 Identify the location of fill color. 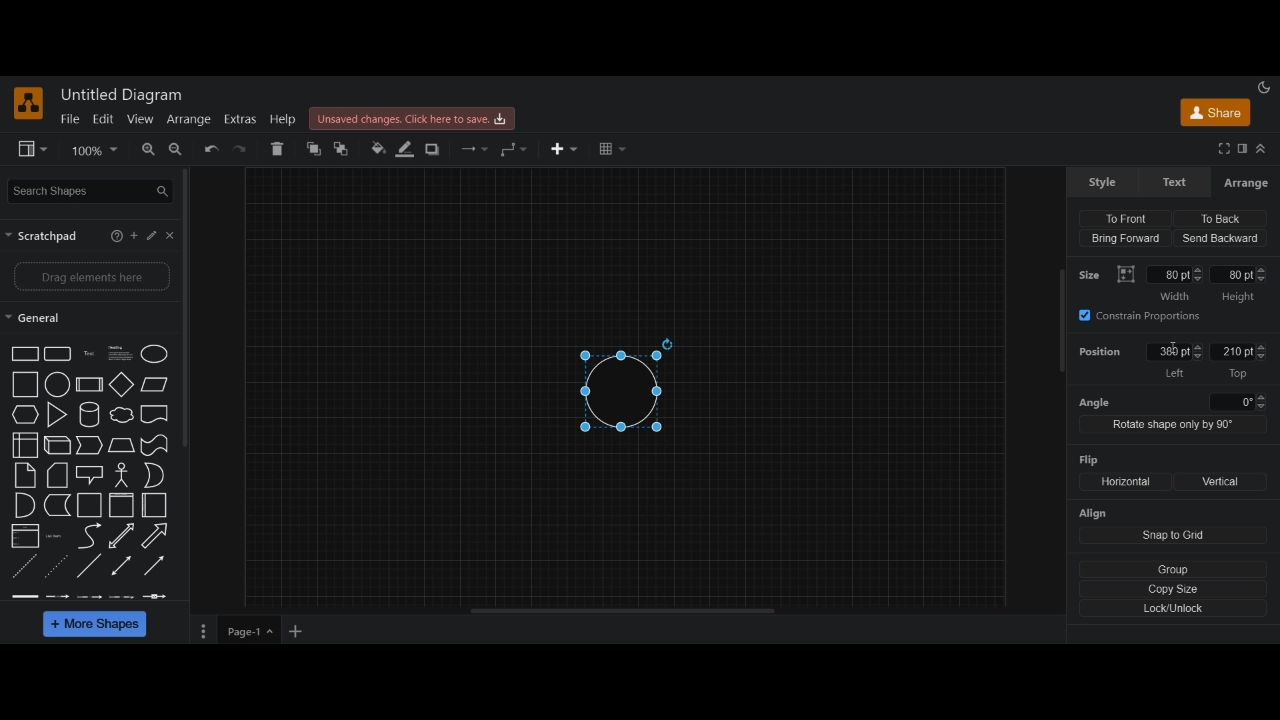
(376, 149).